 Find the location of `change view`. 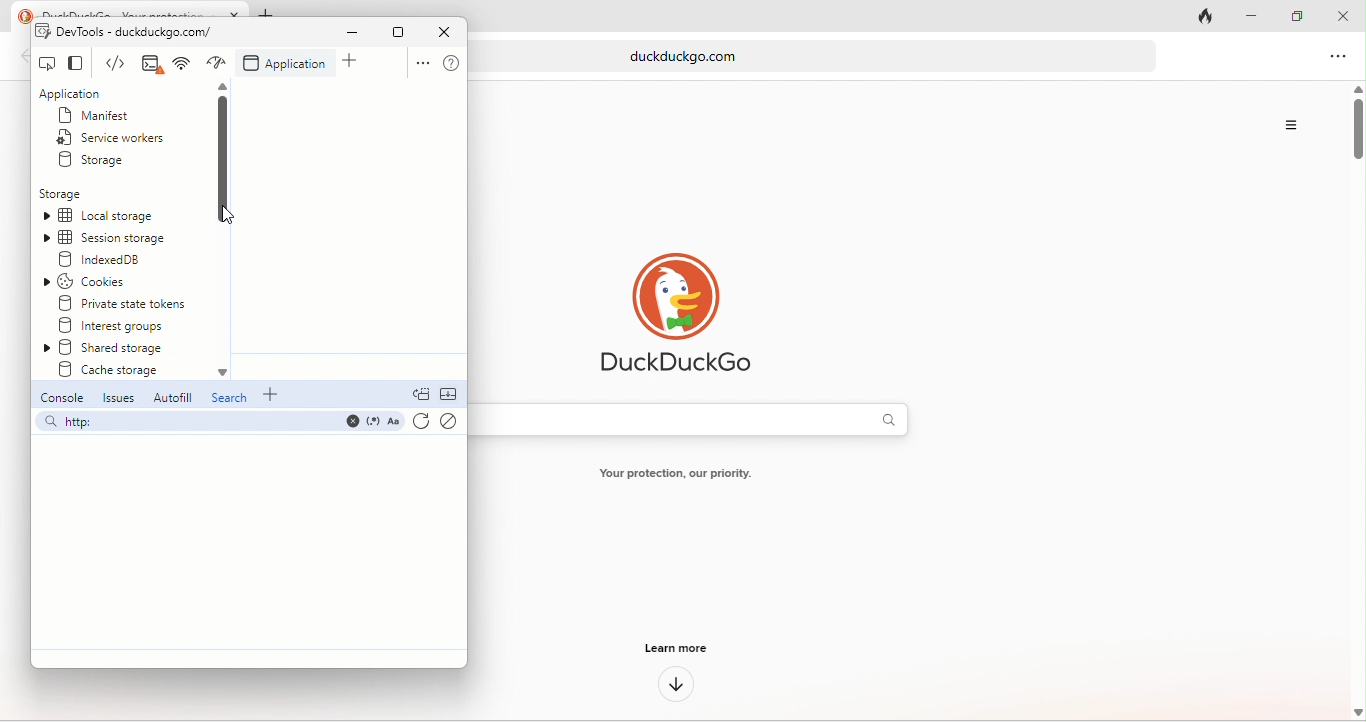

change view is located at coordinates (84, 65).